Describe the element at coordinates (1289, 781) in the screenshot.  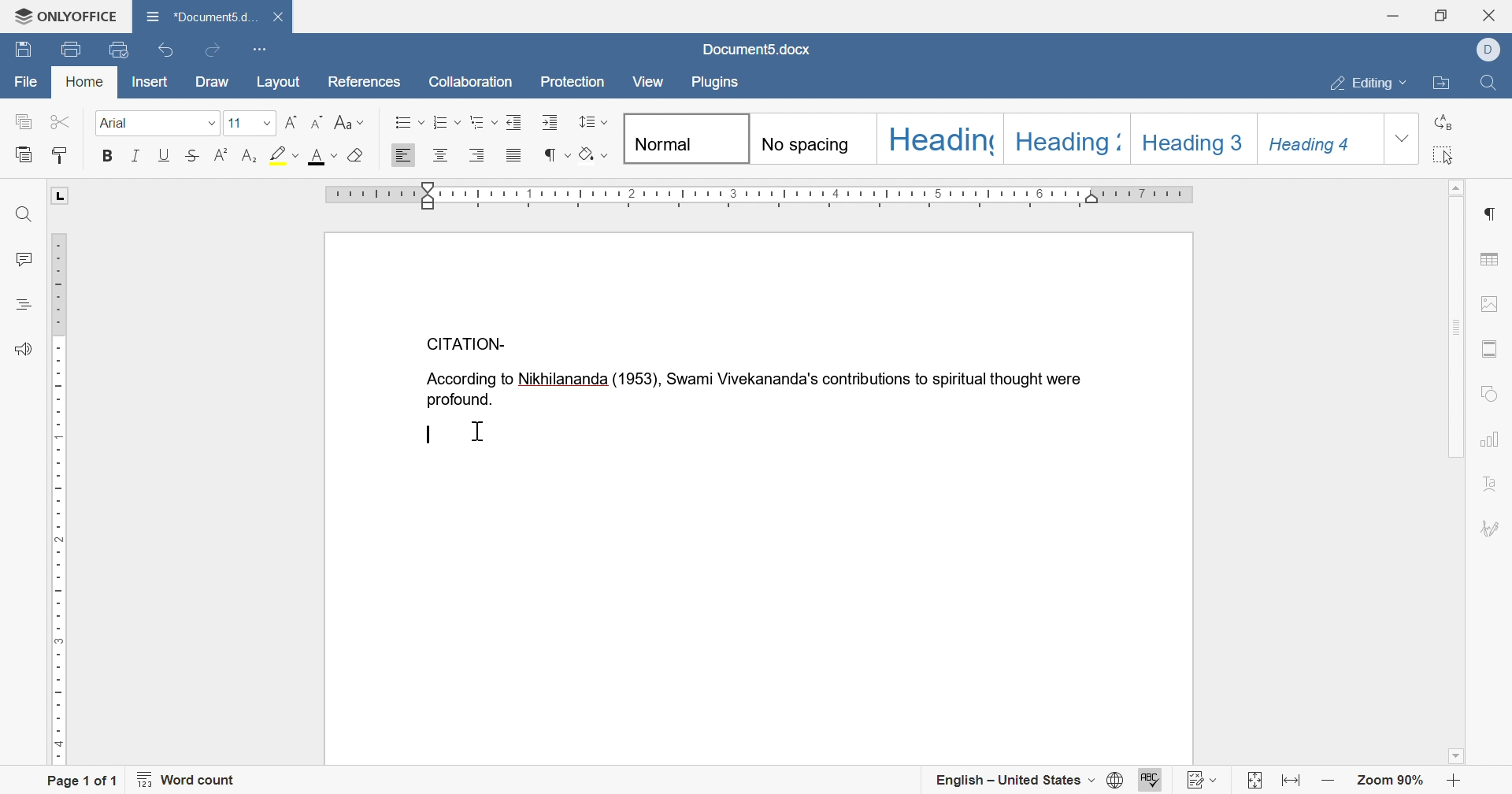
I see `fit to width` at that location.